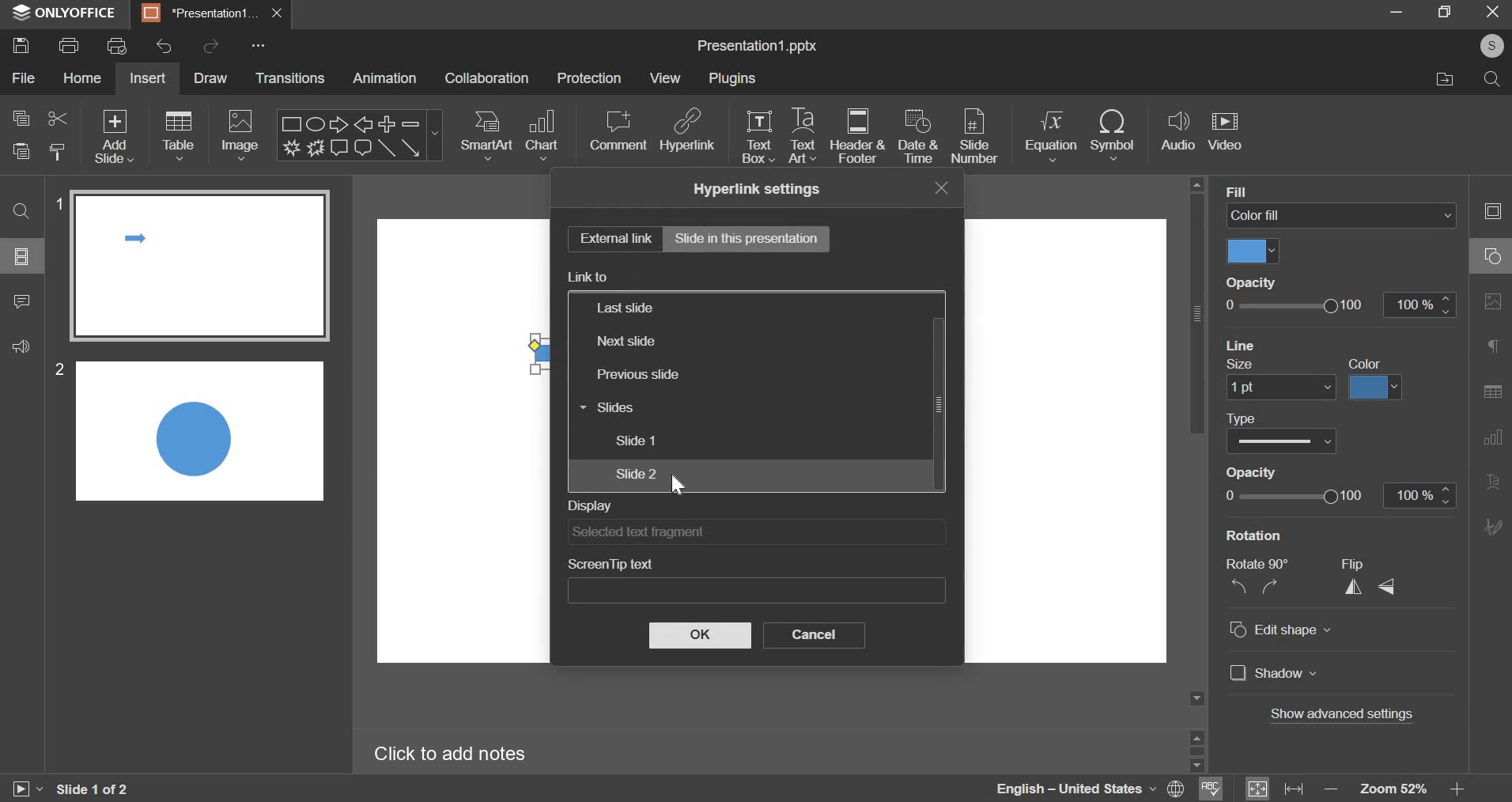  I want to click on insert symbol, so click(1113, 138).